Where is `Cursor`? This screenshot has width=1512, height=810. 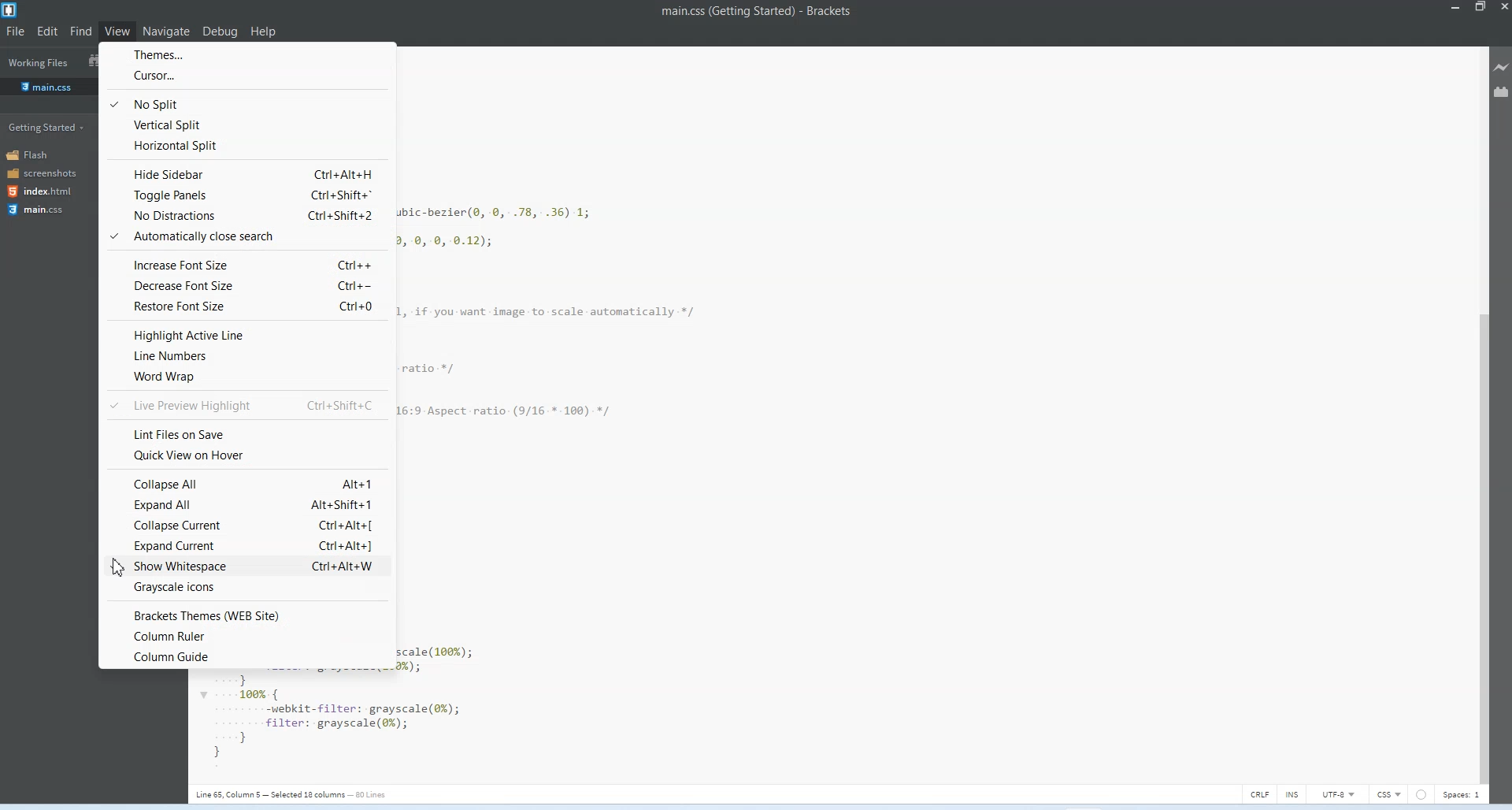 Cursor is located at coordinates (122, 567).